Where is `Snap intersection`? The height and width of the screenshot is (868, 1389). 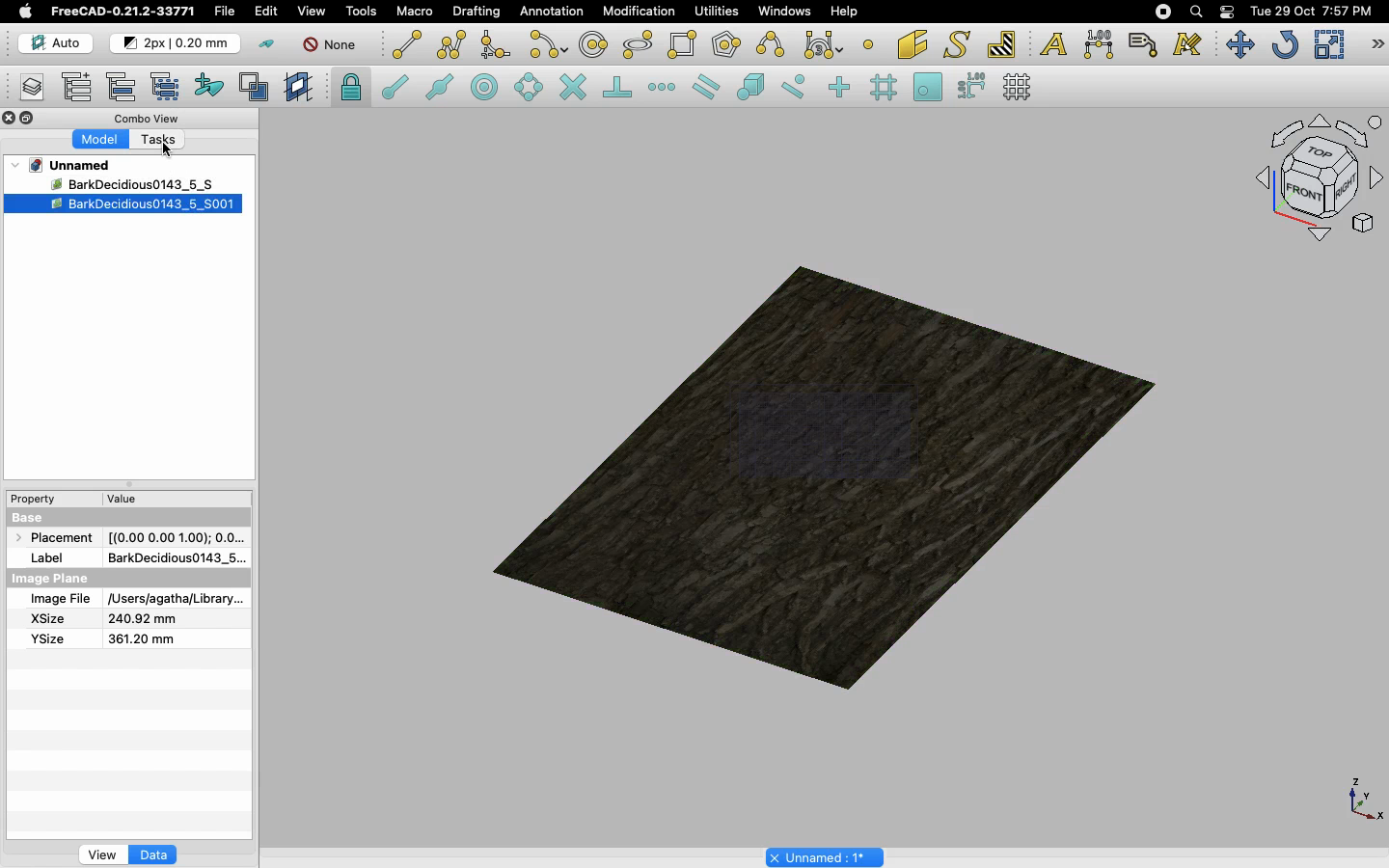 Snap intersection is located at coordinates (574, 89).